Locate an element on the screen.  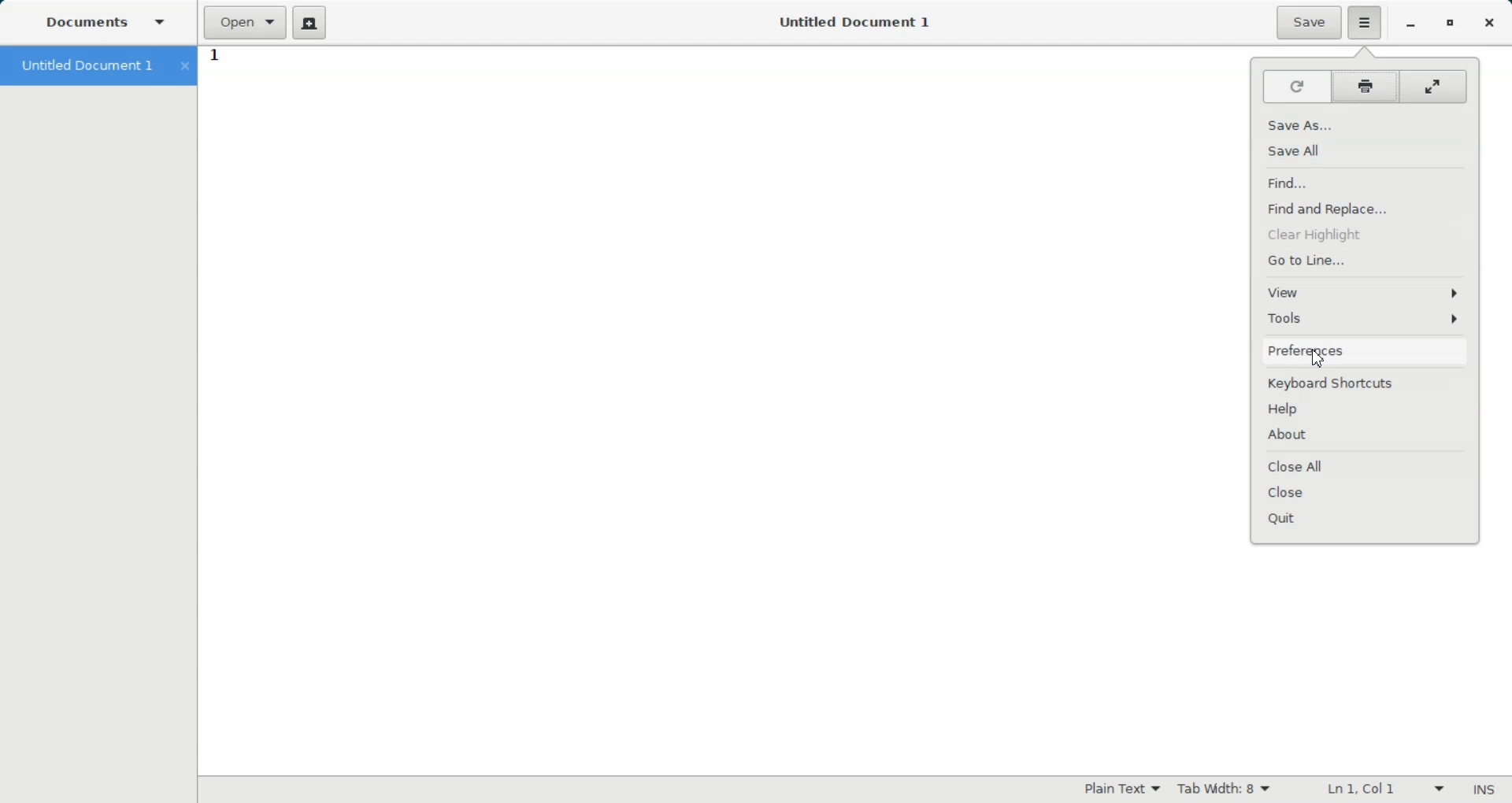
Open a file is located at coordinates (246, 23).